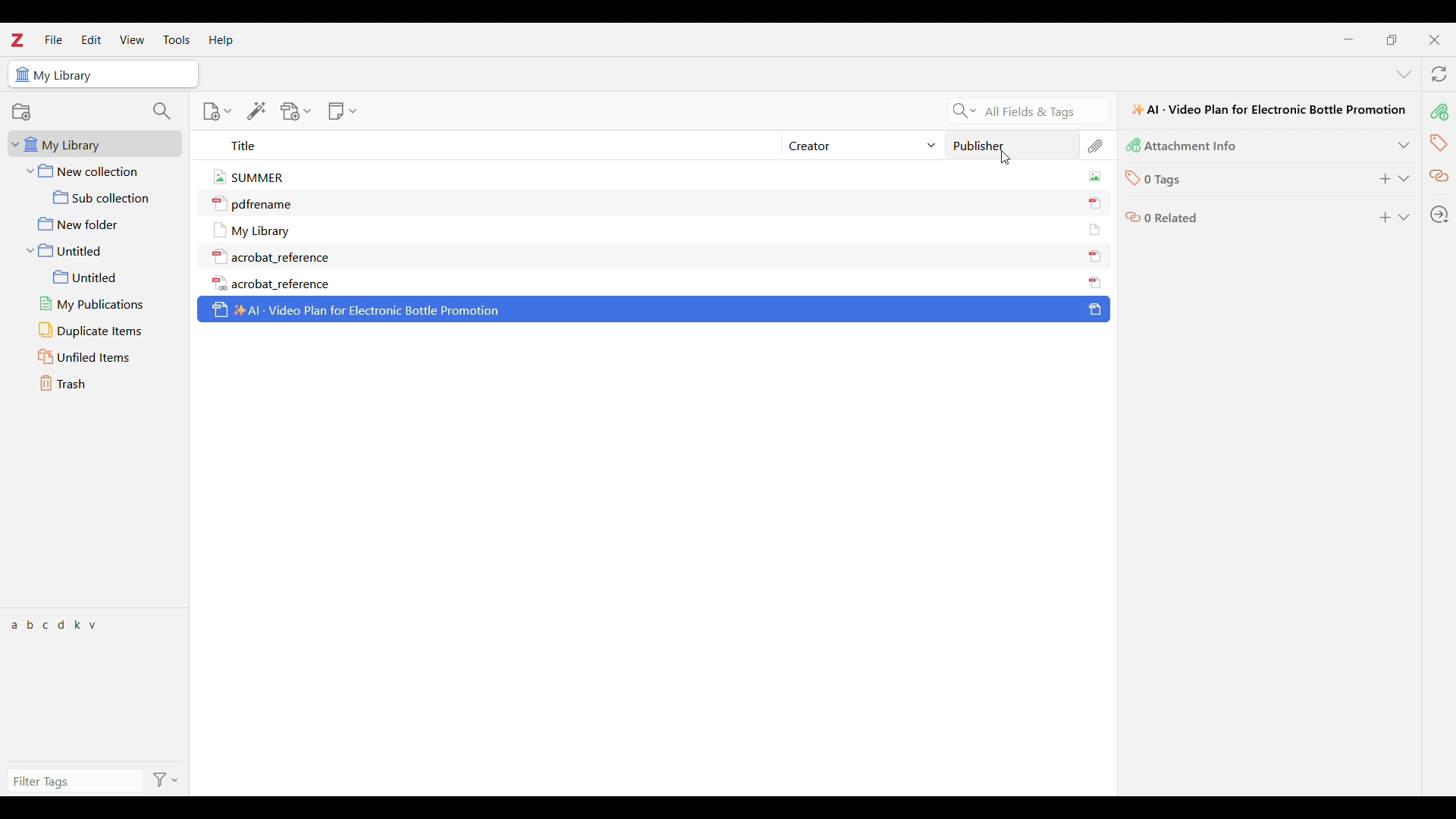 This screenshot has height=819, width=1456. Describe the element at coordinates (68, 74) in the screenshot. I see `My Library` at that location.